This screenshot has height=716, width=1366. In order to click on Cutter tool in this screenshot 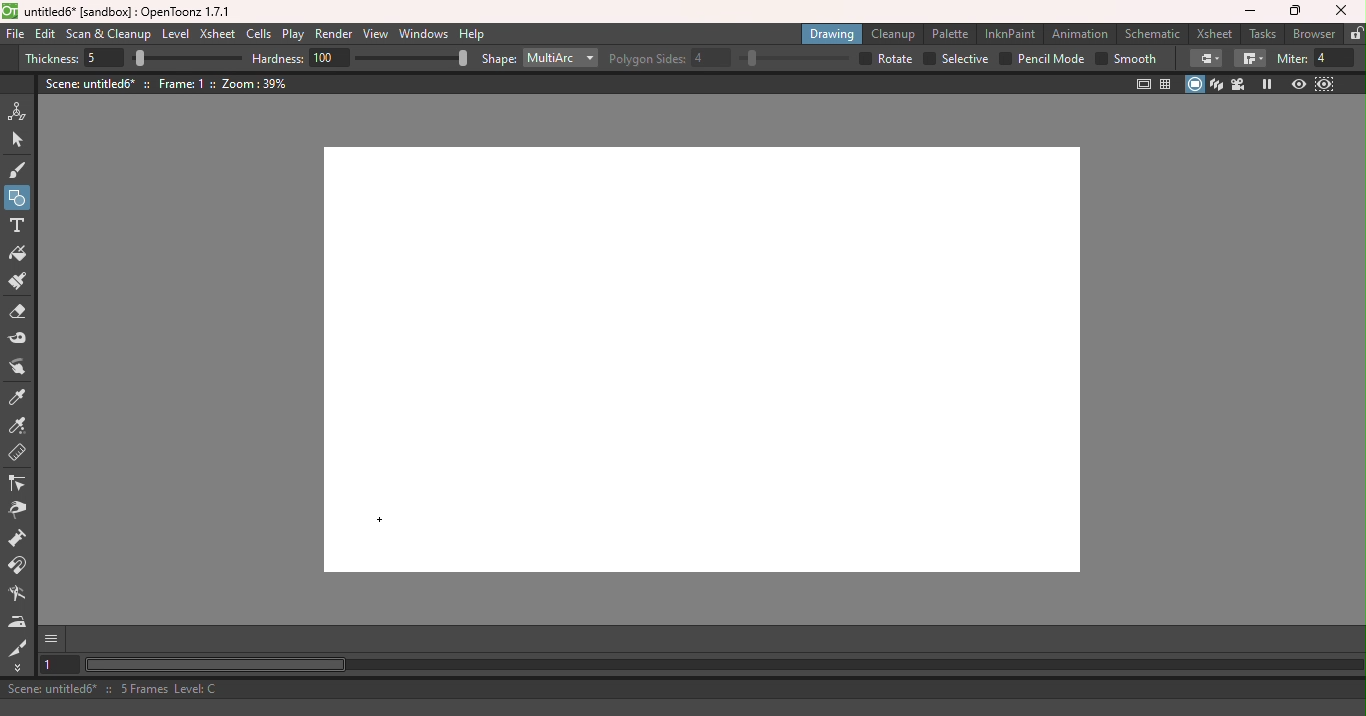, I will do `click(15, 646)`.